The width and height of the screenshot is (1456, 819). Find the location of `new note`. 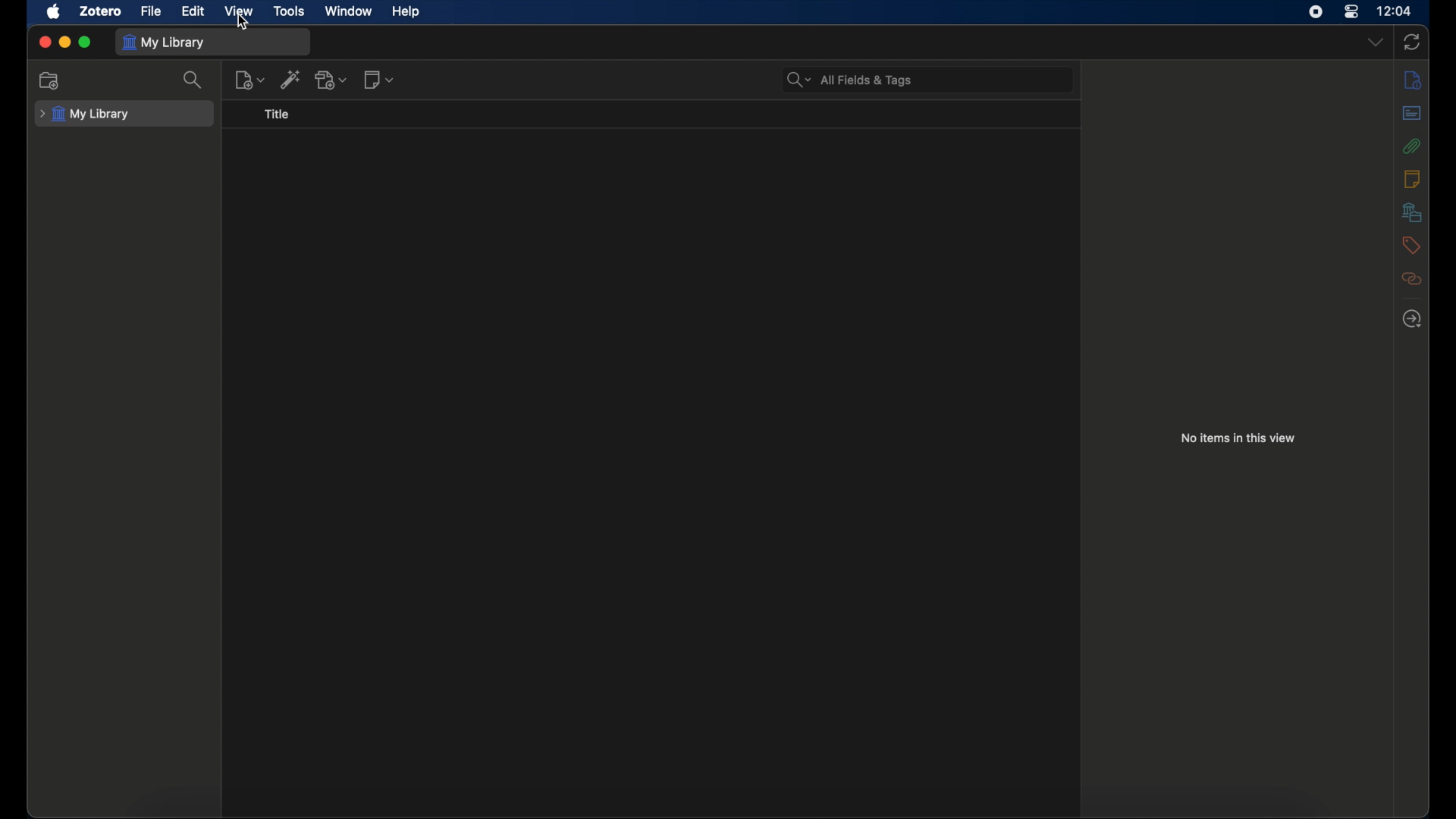

new note is located at coordinates (378, 79).